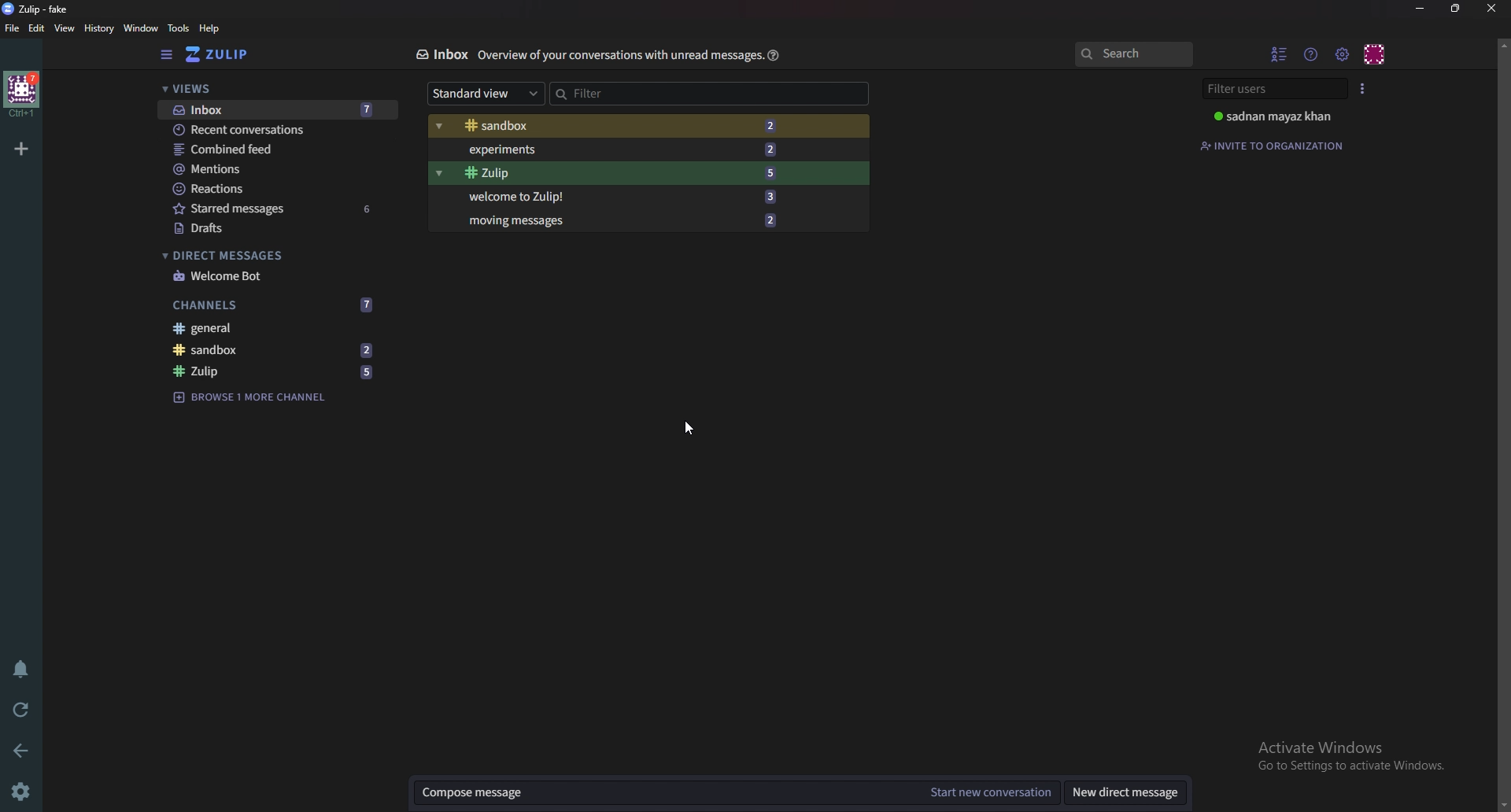  What do you see at coordinates (273, 276) in the screenshot?
I see `welcome bot` at bounding box center [273, 276].